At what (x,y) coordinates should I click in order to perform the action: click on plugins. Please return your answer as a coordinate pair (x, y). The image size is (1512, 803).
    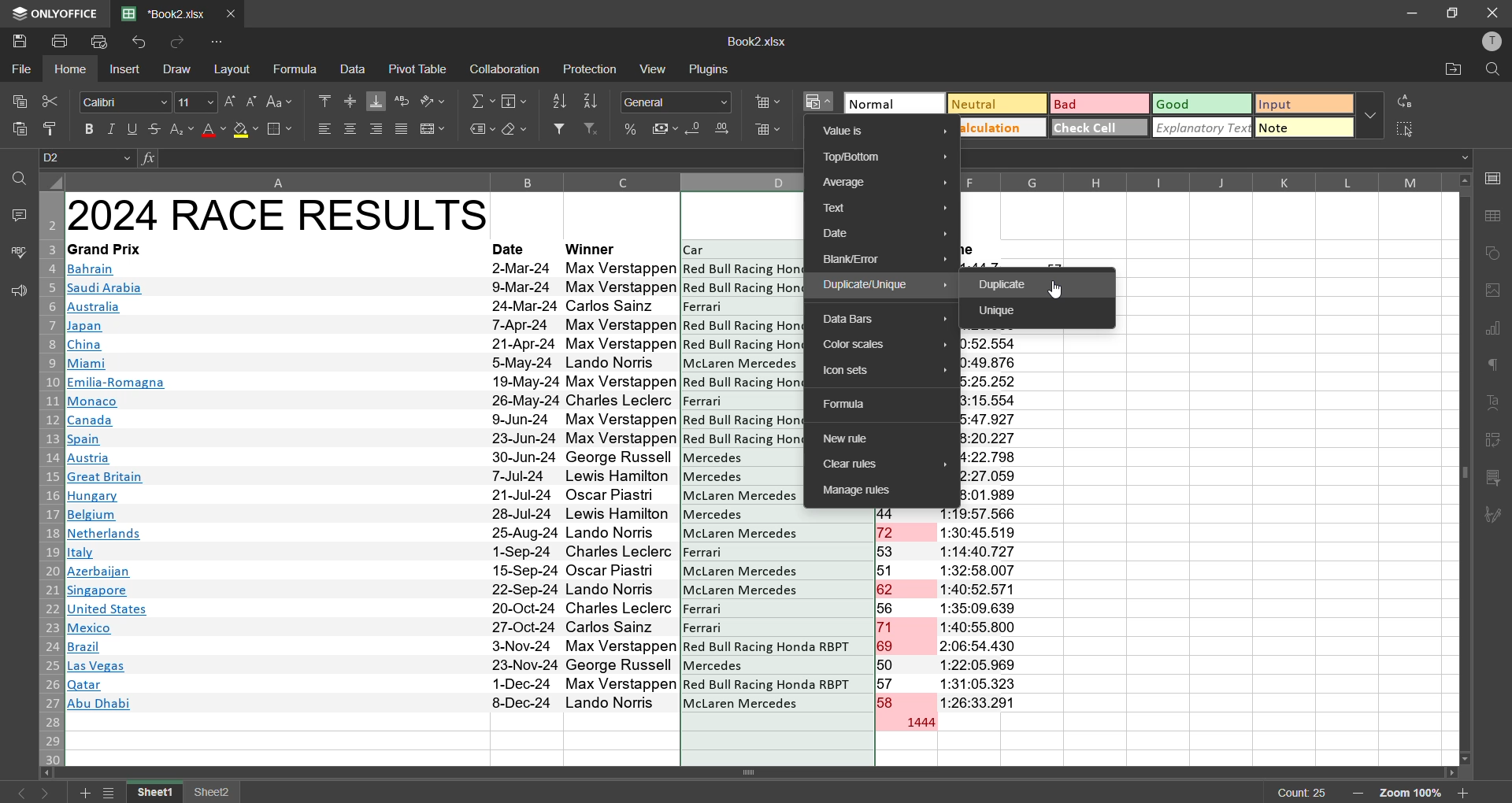
    Looking at the image, I should click on (709, 68).